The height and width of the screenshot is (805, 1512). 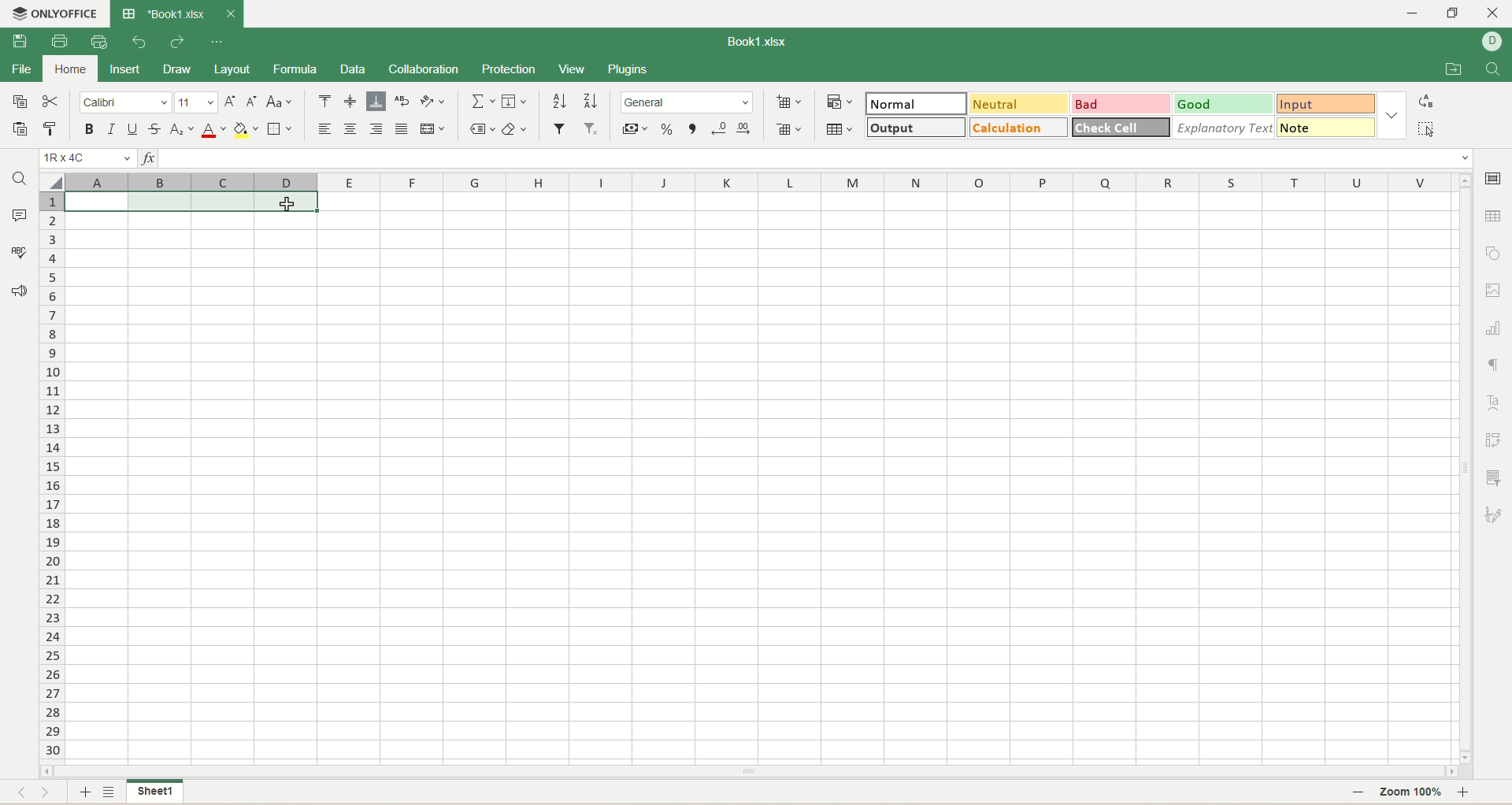 I want to click on open file location, so click(x=1451, y=69).